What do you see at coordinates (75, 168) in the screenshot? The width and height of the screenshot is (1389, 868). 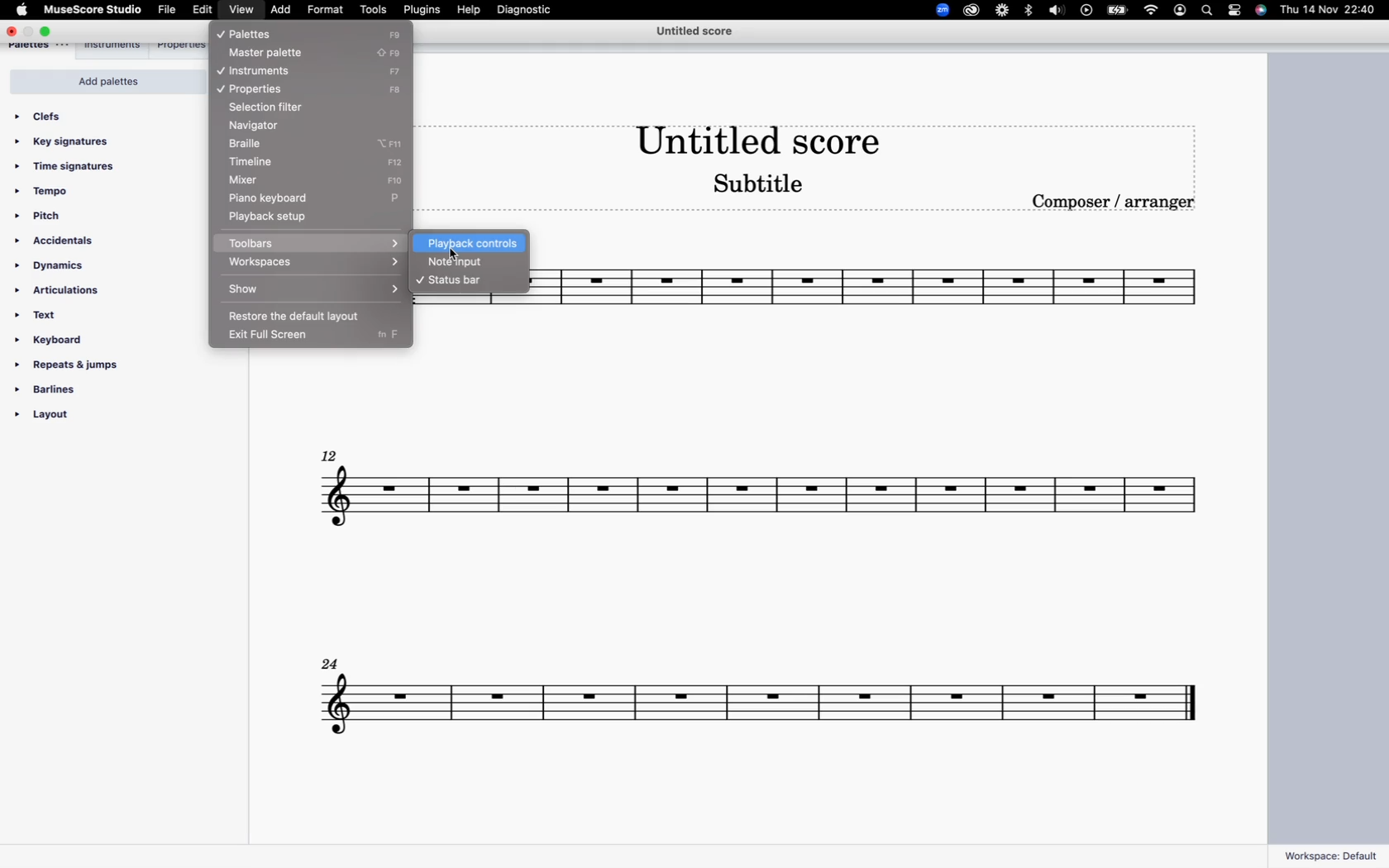 I see `time signatures` at bounding box center [75, 168].